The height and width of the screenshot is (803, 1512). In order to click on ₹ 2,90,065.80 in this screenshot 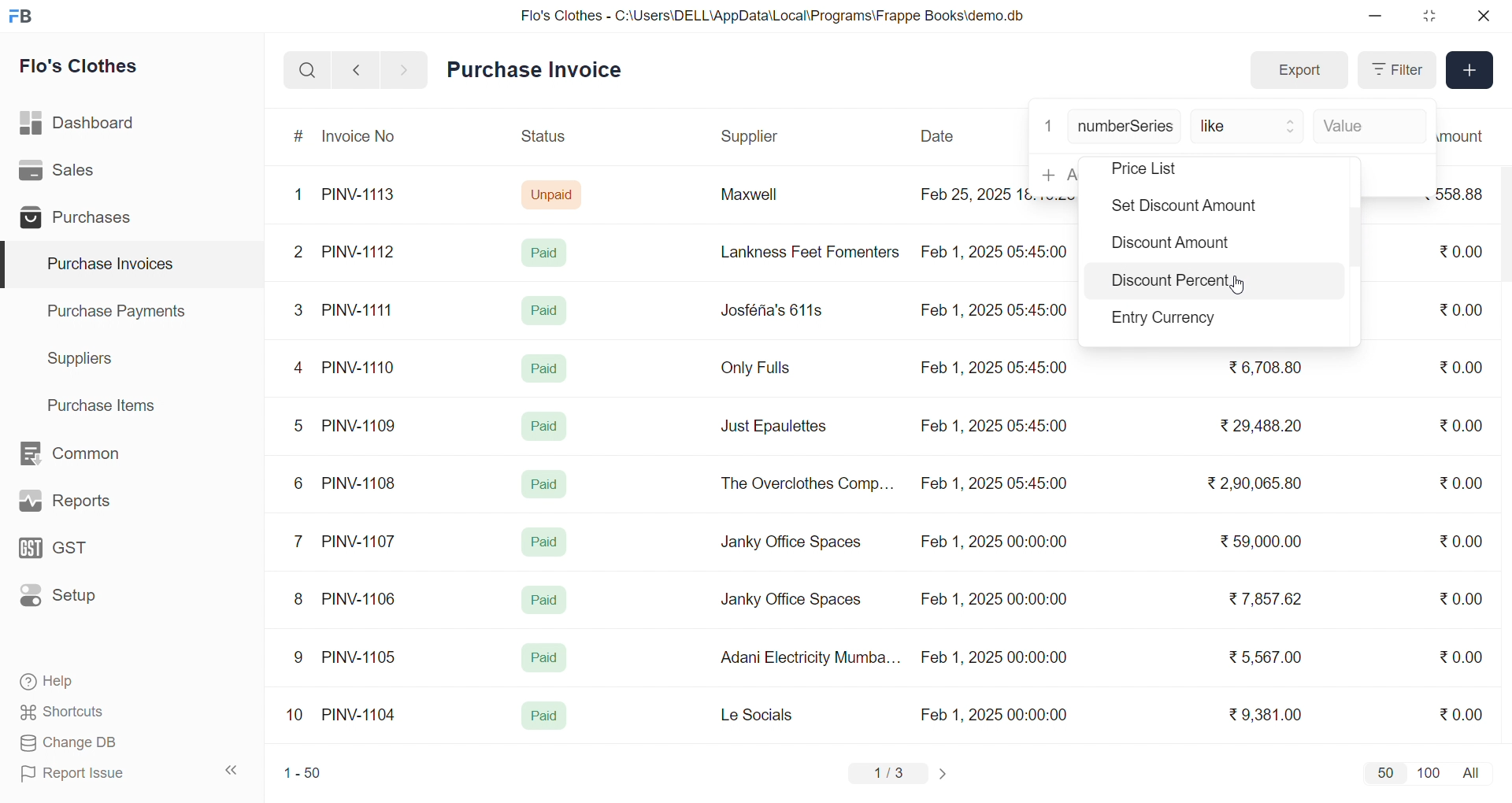, I will do `click(1256, 484)`.